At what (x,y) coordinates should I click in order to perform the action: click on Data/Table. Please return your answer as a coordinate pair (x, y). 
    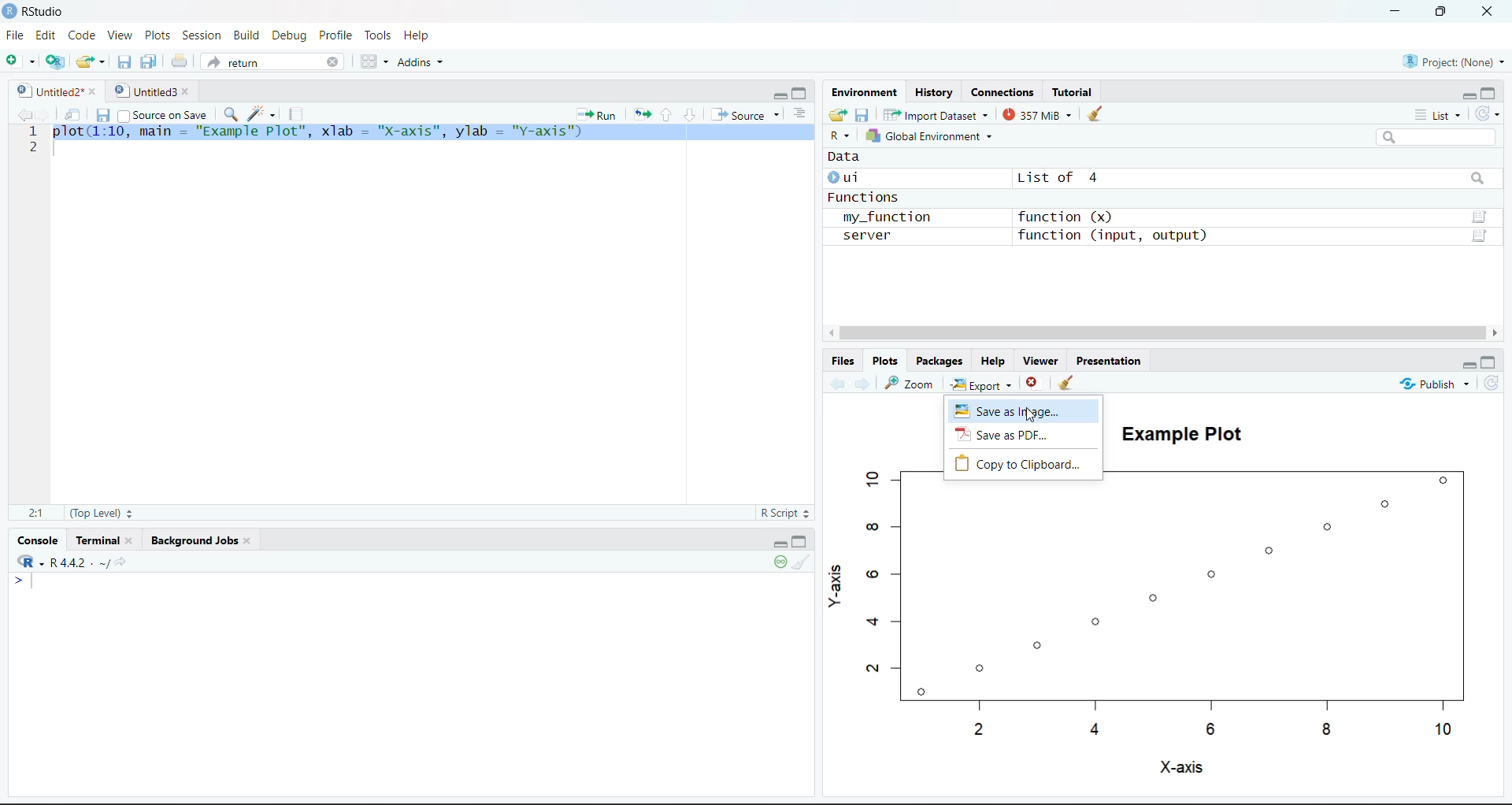
    Looking at the image, I should click on (1481, 237).